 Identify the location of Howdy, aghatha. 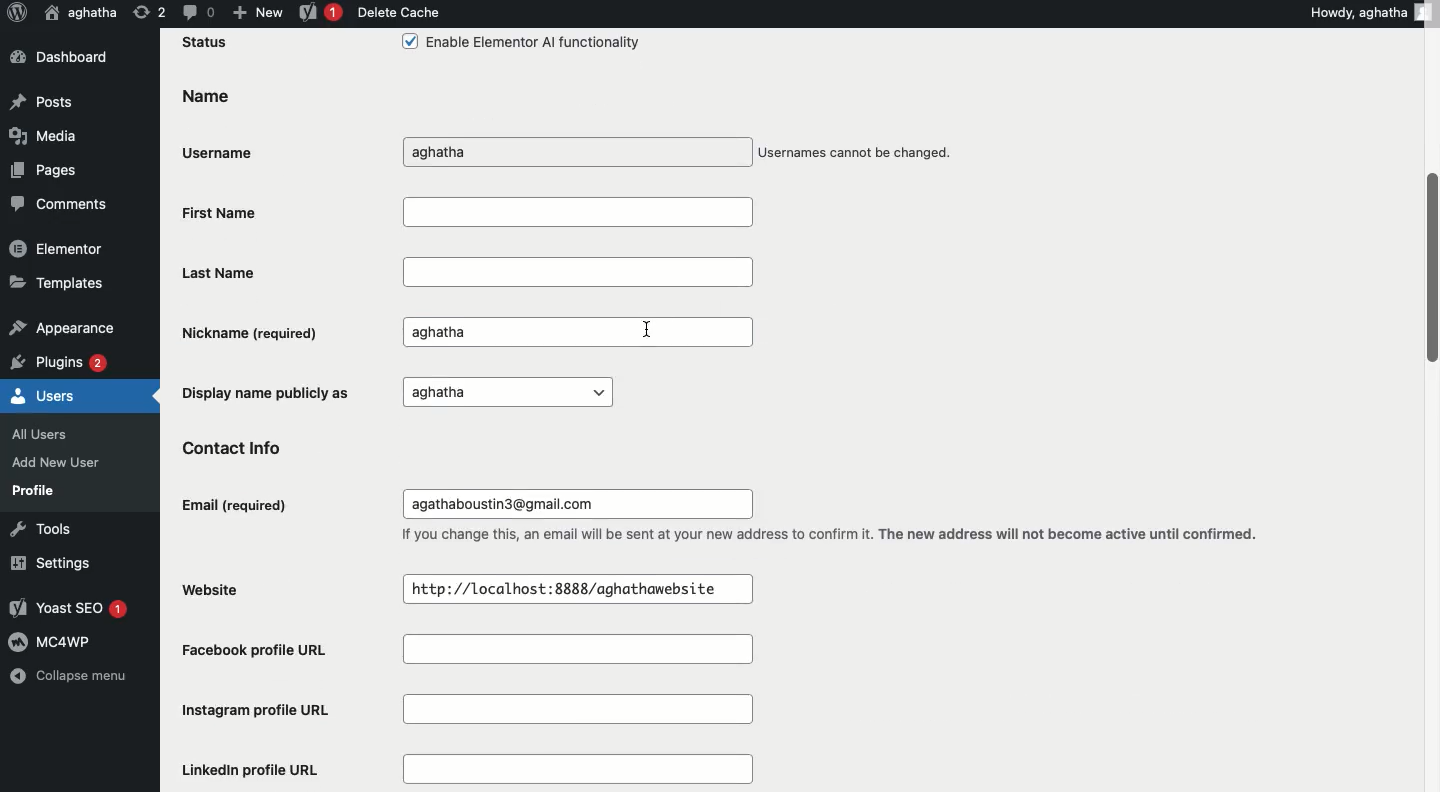
(1358, 12).